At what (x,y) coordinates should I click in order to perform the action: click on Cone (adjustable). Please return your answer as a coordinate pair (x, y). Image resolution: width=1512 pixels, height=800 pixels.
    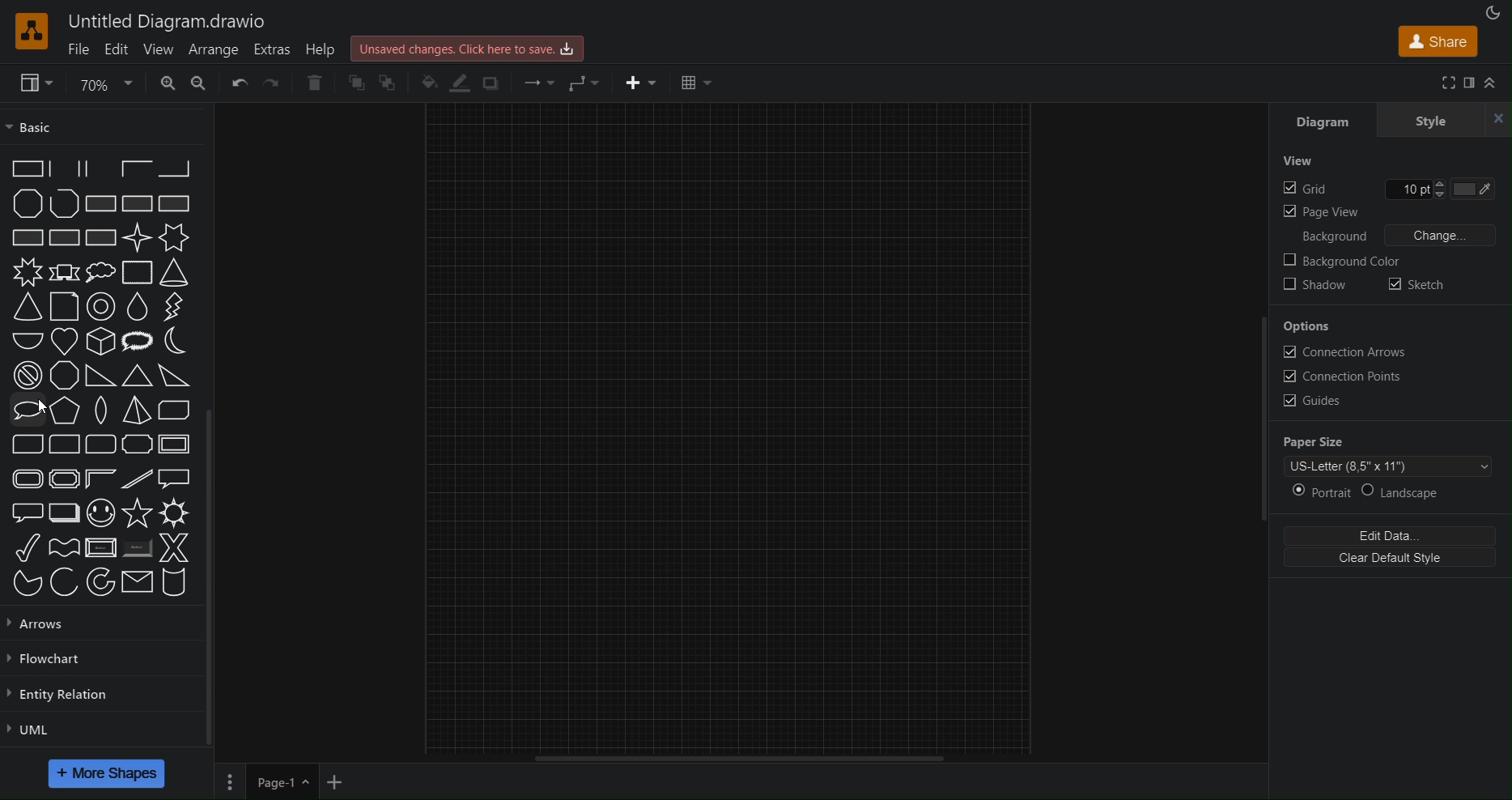
    Looking at the image, I should click on (26, 307).